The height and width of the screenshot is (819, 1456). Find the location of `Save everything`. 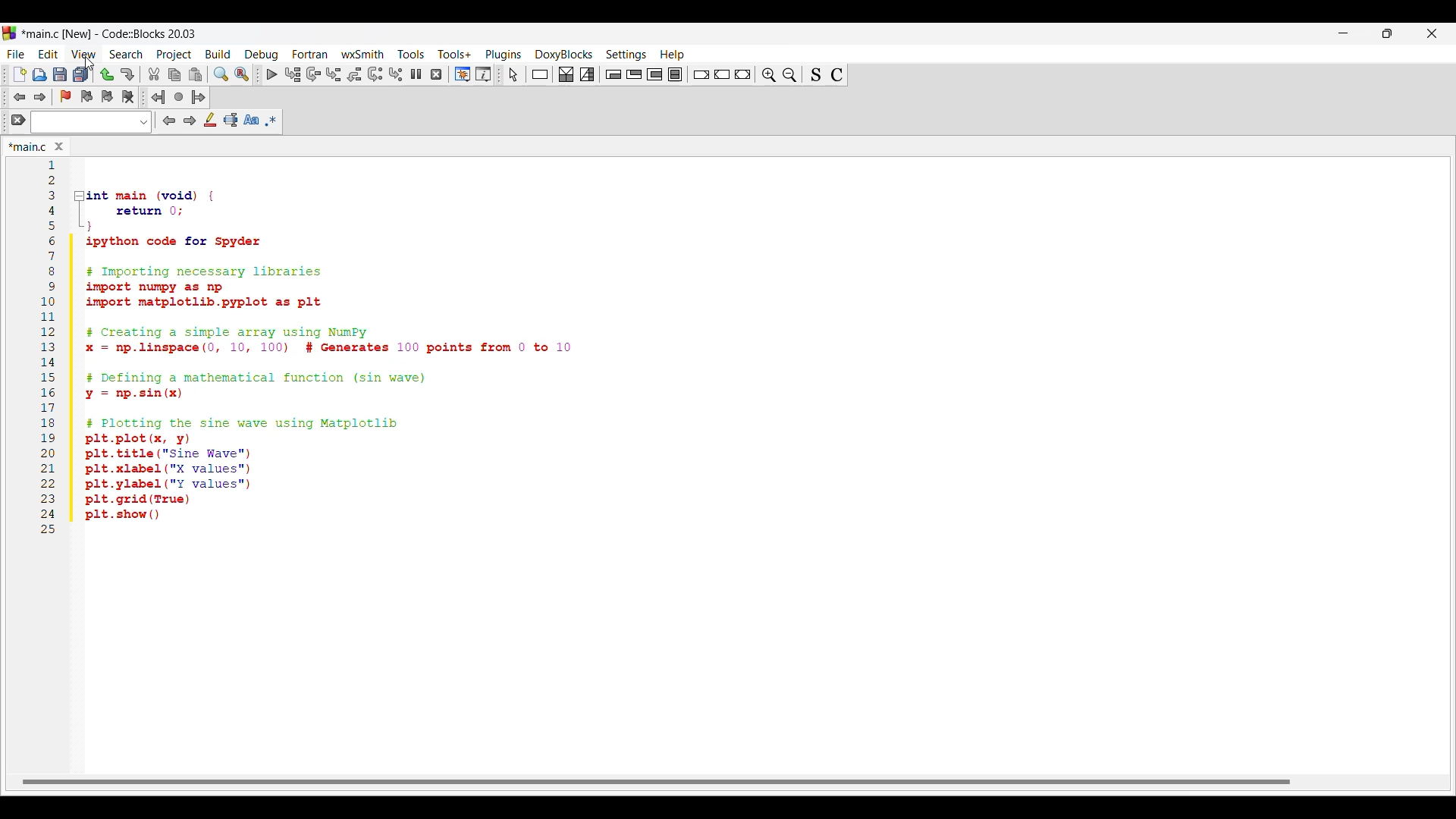

Save everything is located at coordinates (81, 74).